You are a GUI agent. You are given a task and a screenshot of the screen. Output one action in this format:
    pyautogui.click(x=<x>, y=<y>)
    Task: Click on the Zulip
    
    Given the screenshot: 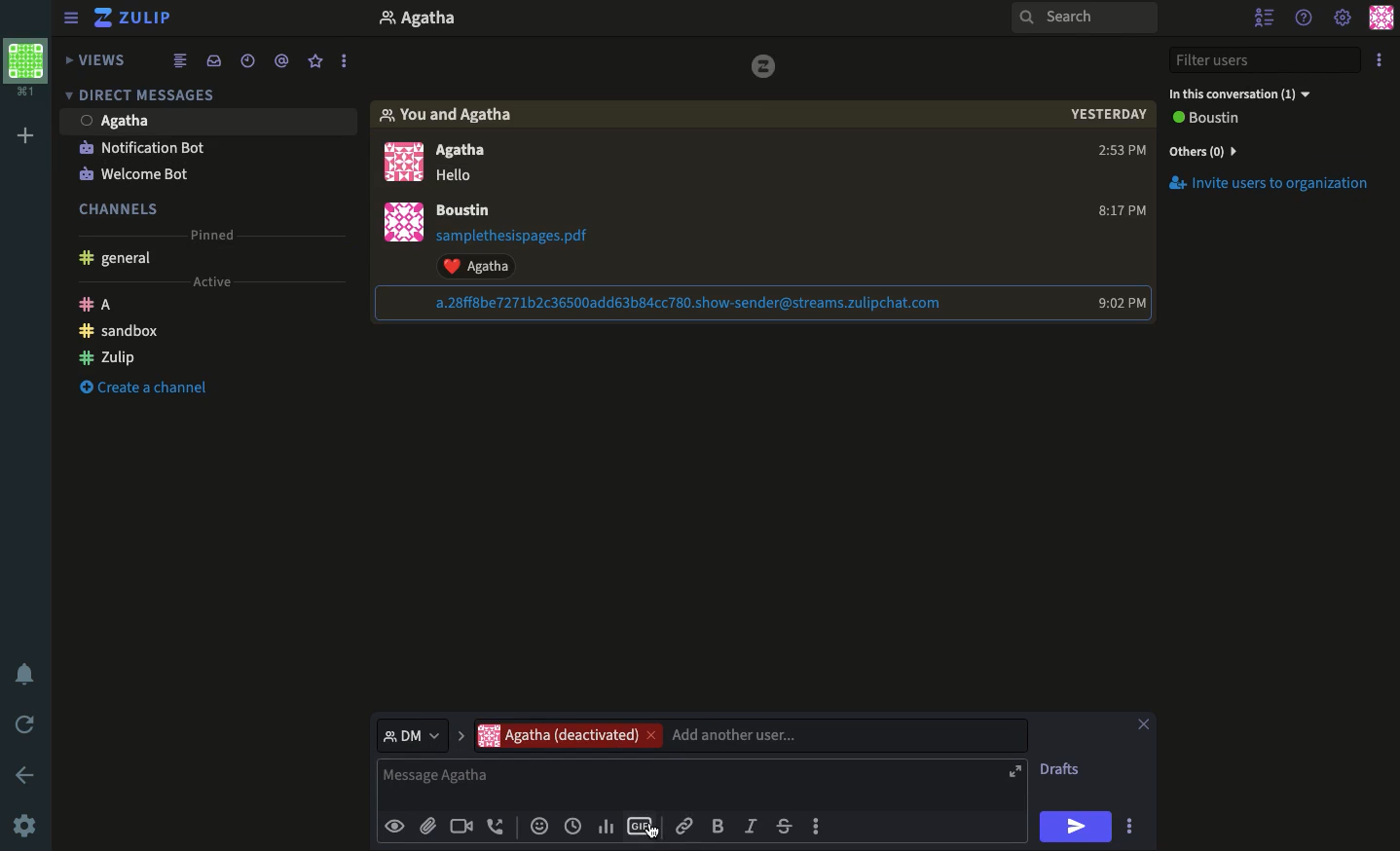 What is the action you would take?
    pyautogui.click(x=107, y=360)
    